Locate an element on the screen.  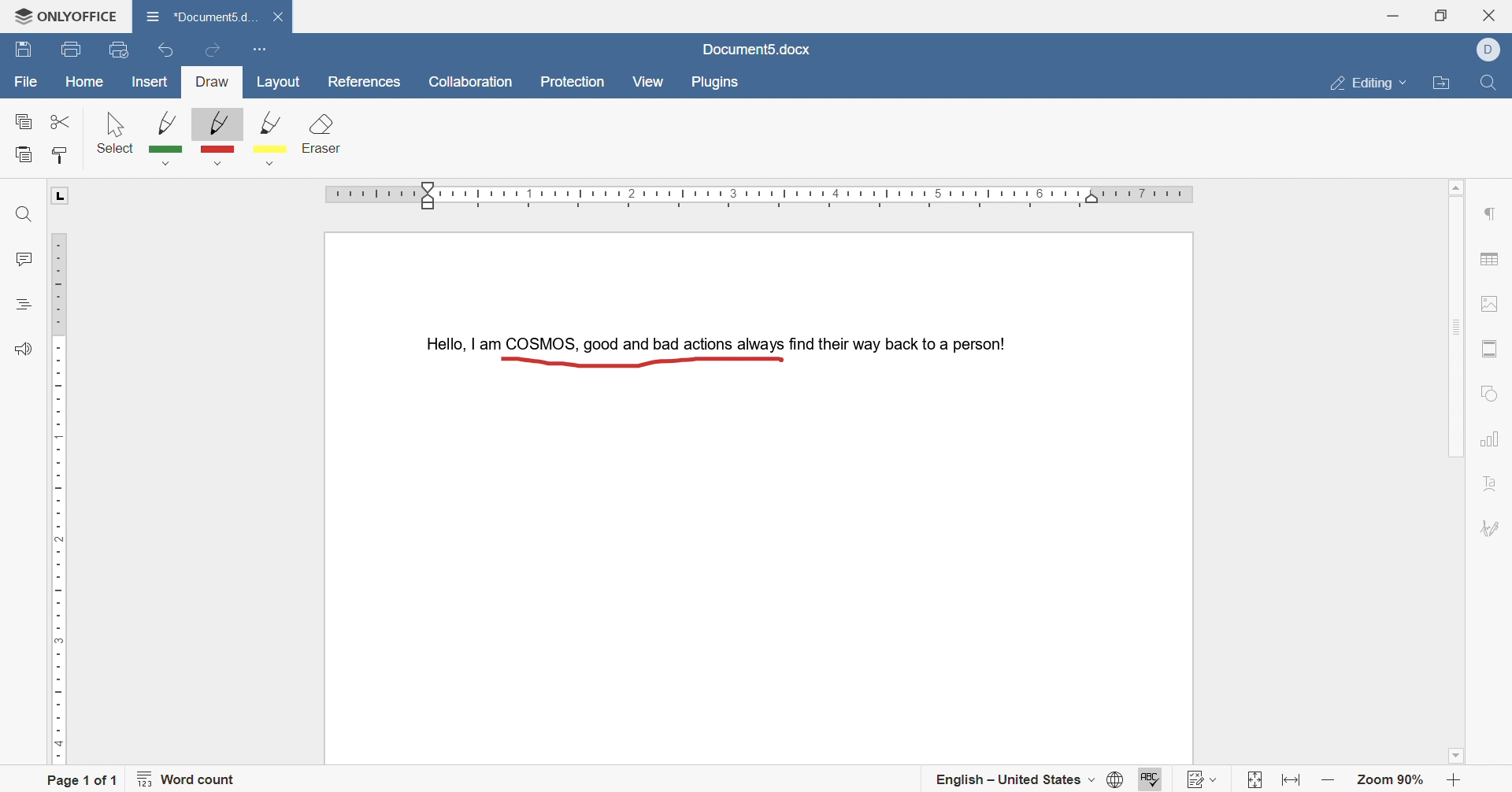
copy is located at coordinates (24, 123).